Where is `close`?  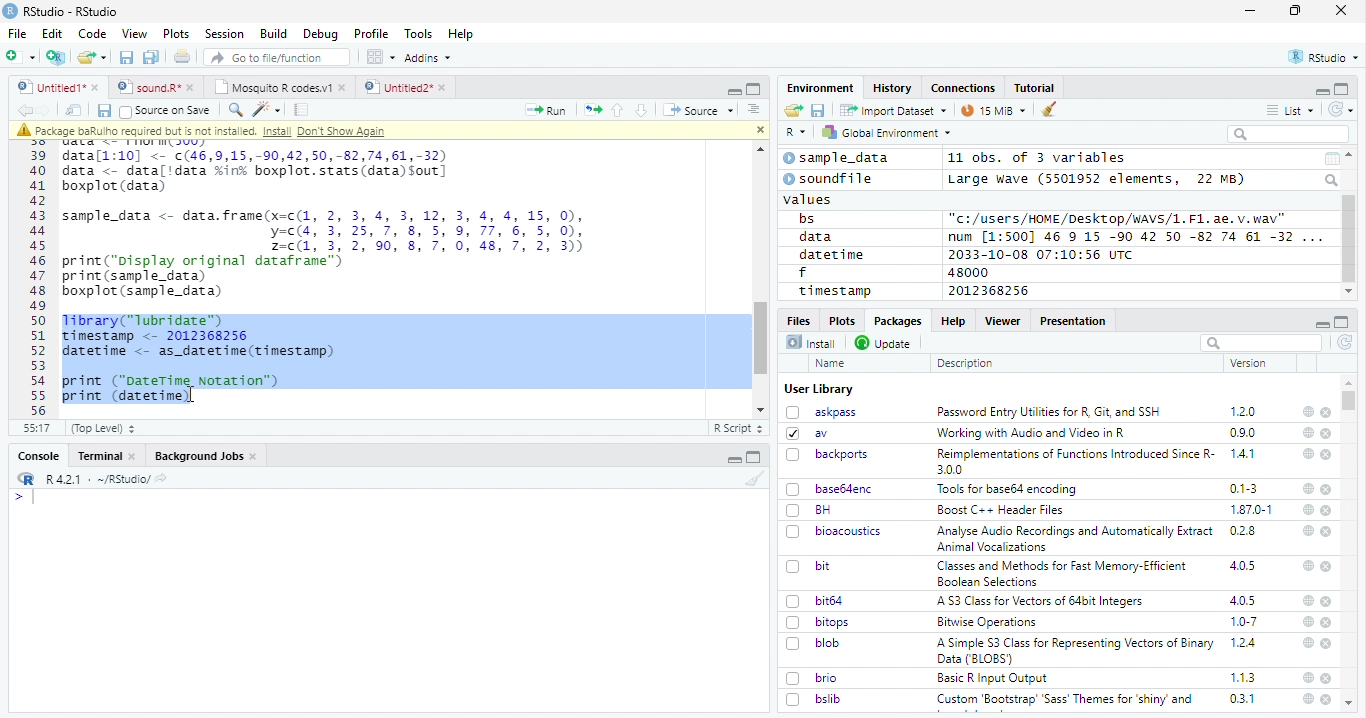
close is located at coordinates (1328, 644).